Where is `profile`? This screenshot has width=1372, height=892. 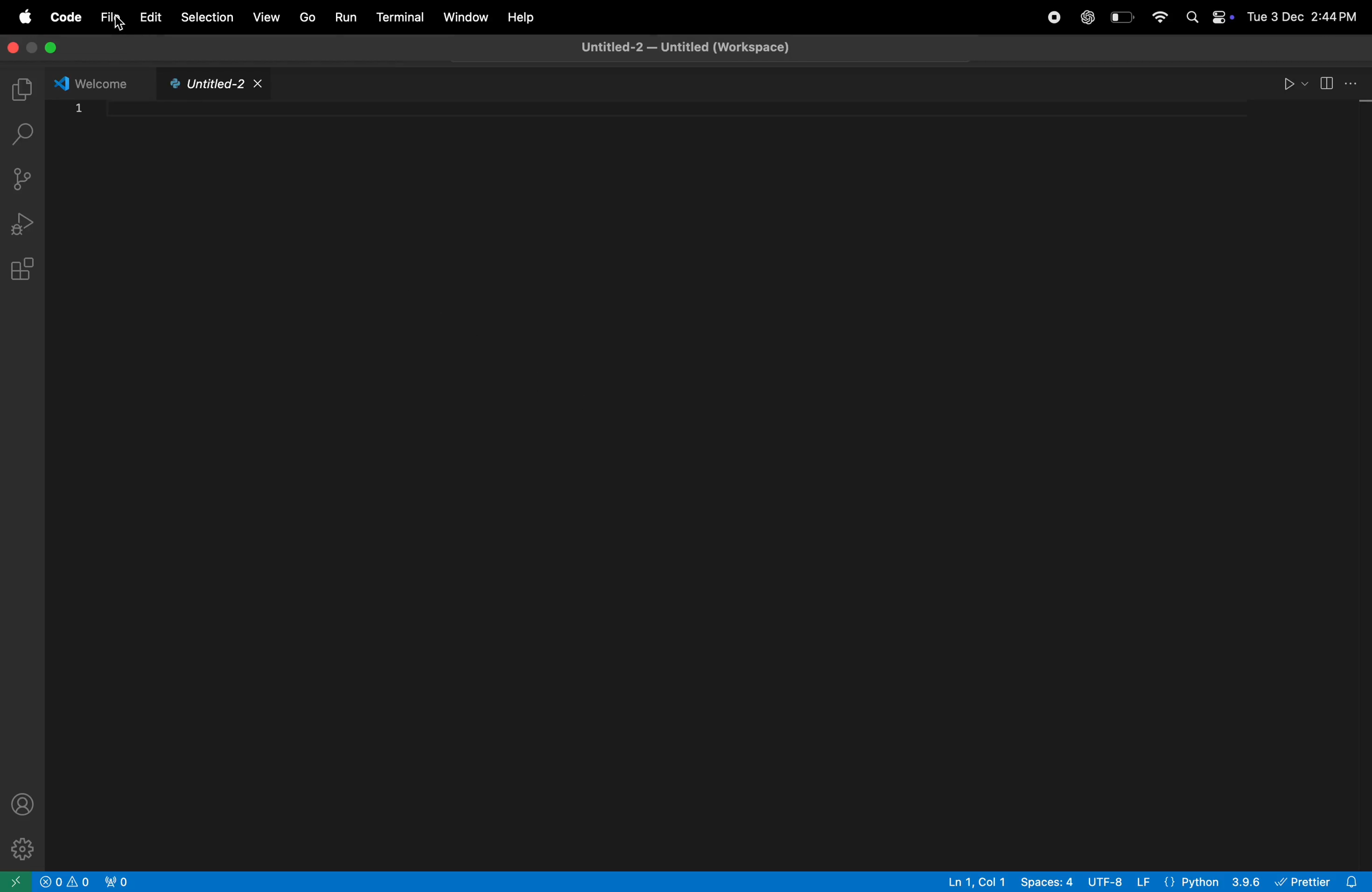 profile is located at coordinates (23, 802).